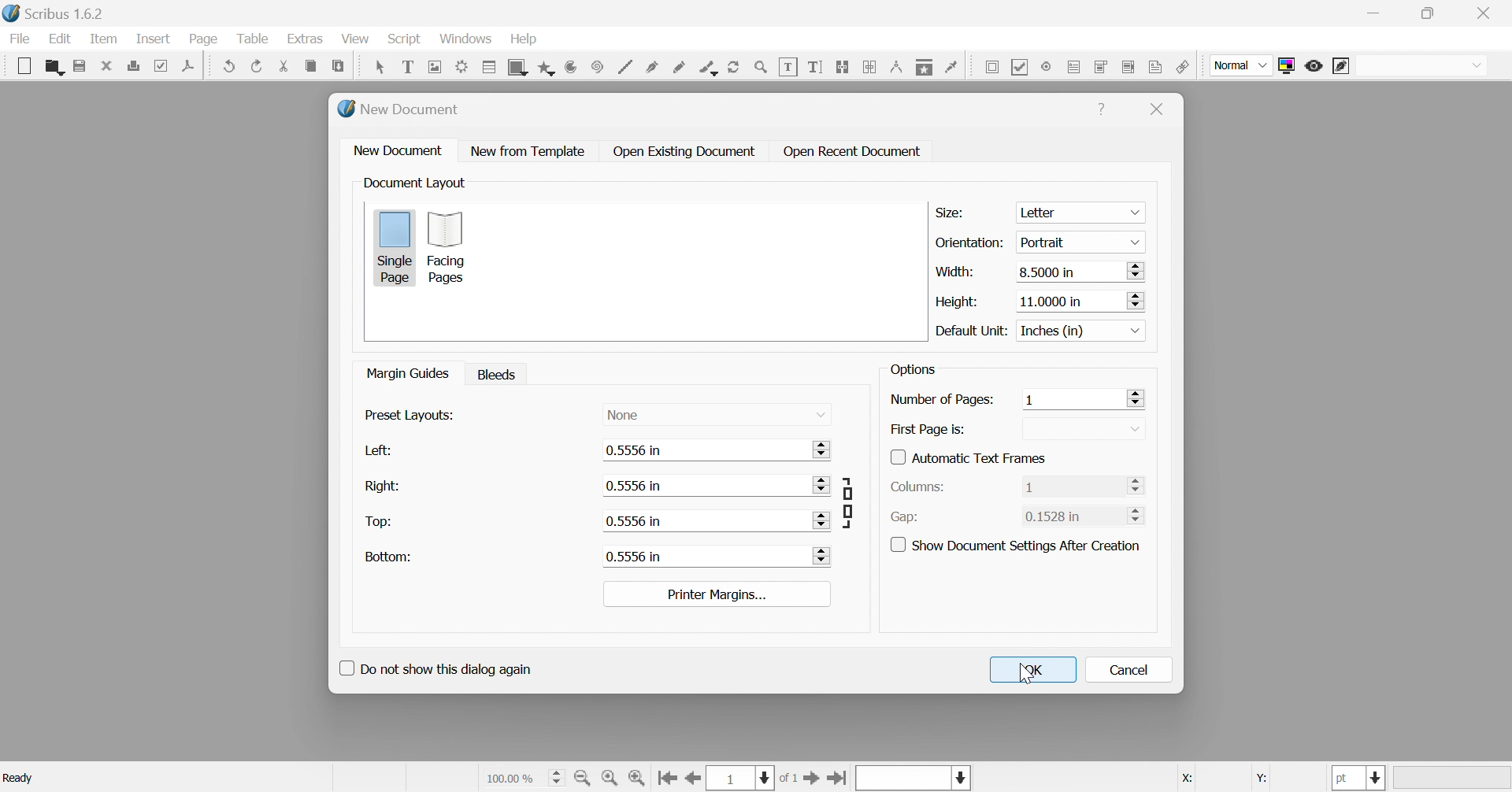  What do you see at coordinates (1054, 515) in the screenshot?
I see `0.1528` at bounding box center [1054, 515].